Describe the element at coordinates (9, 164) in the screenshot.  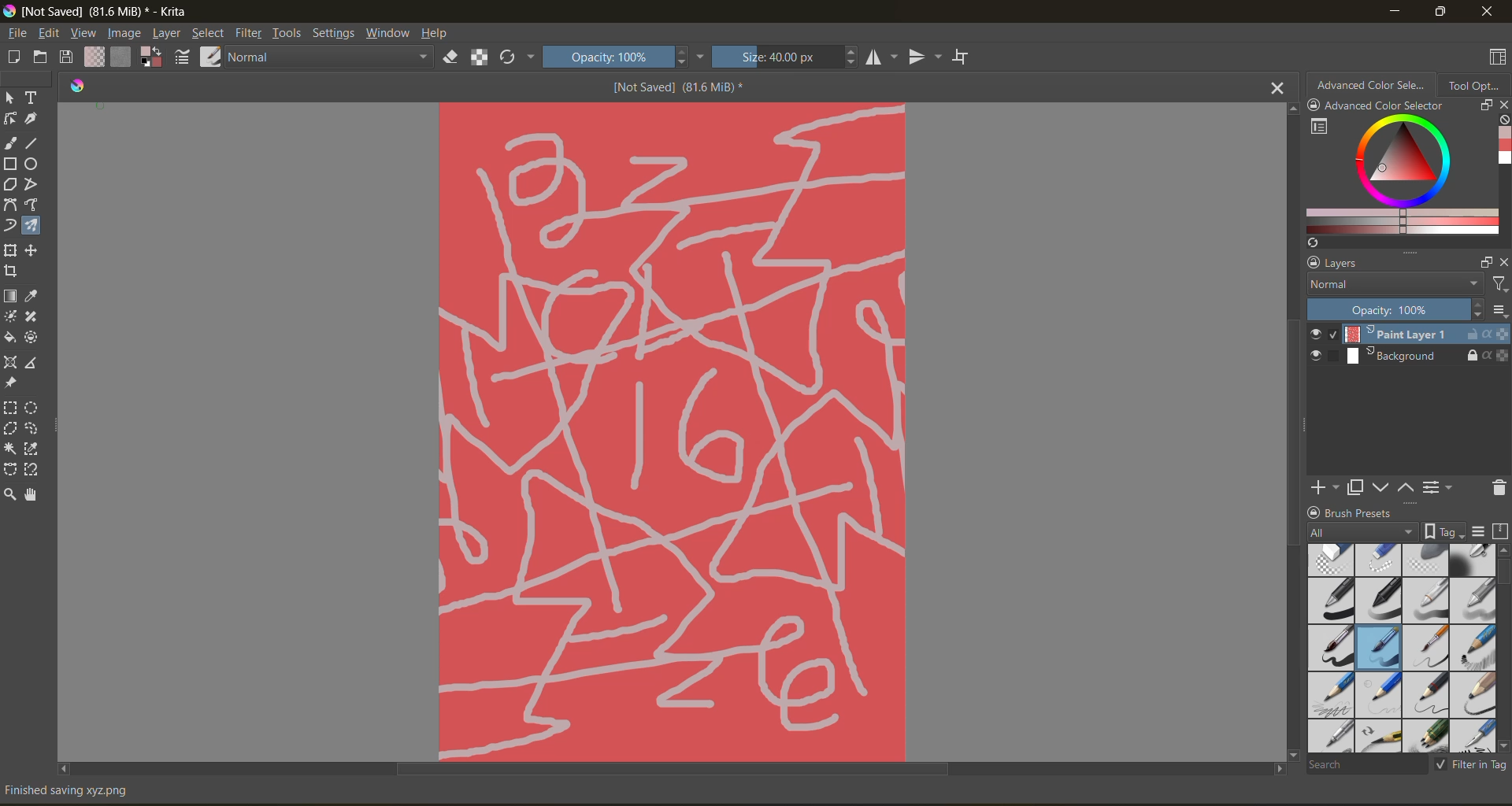
I see `tool` at that location.